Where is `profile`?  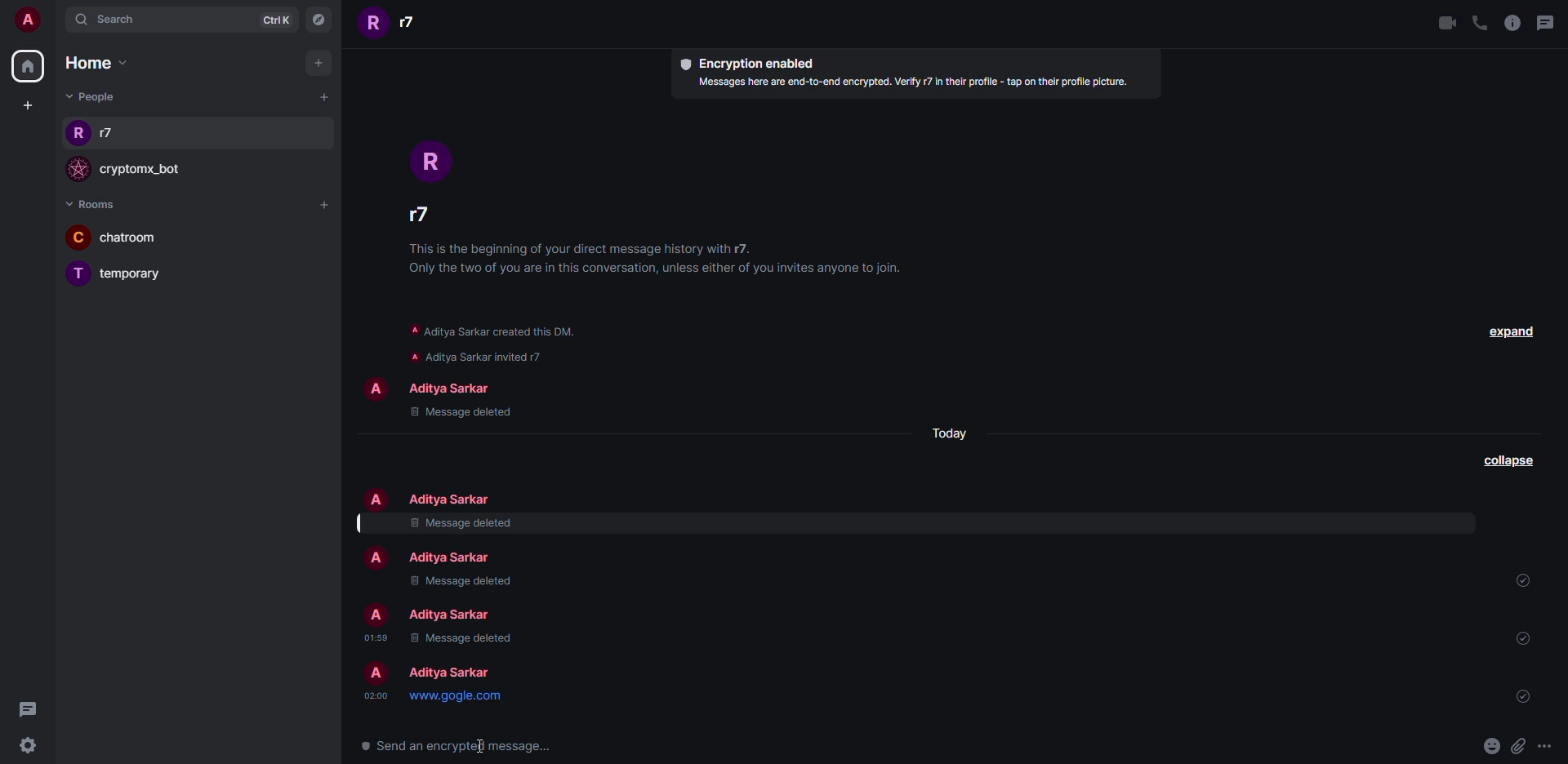
profile is located at coordinates (373, 392).